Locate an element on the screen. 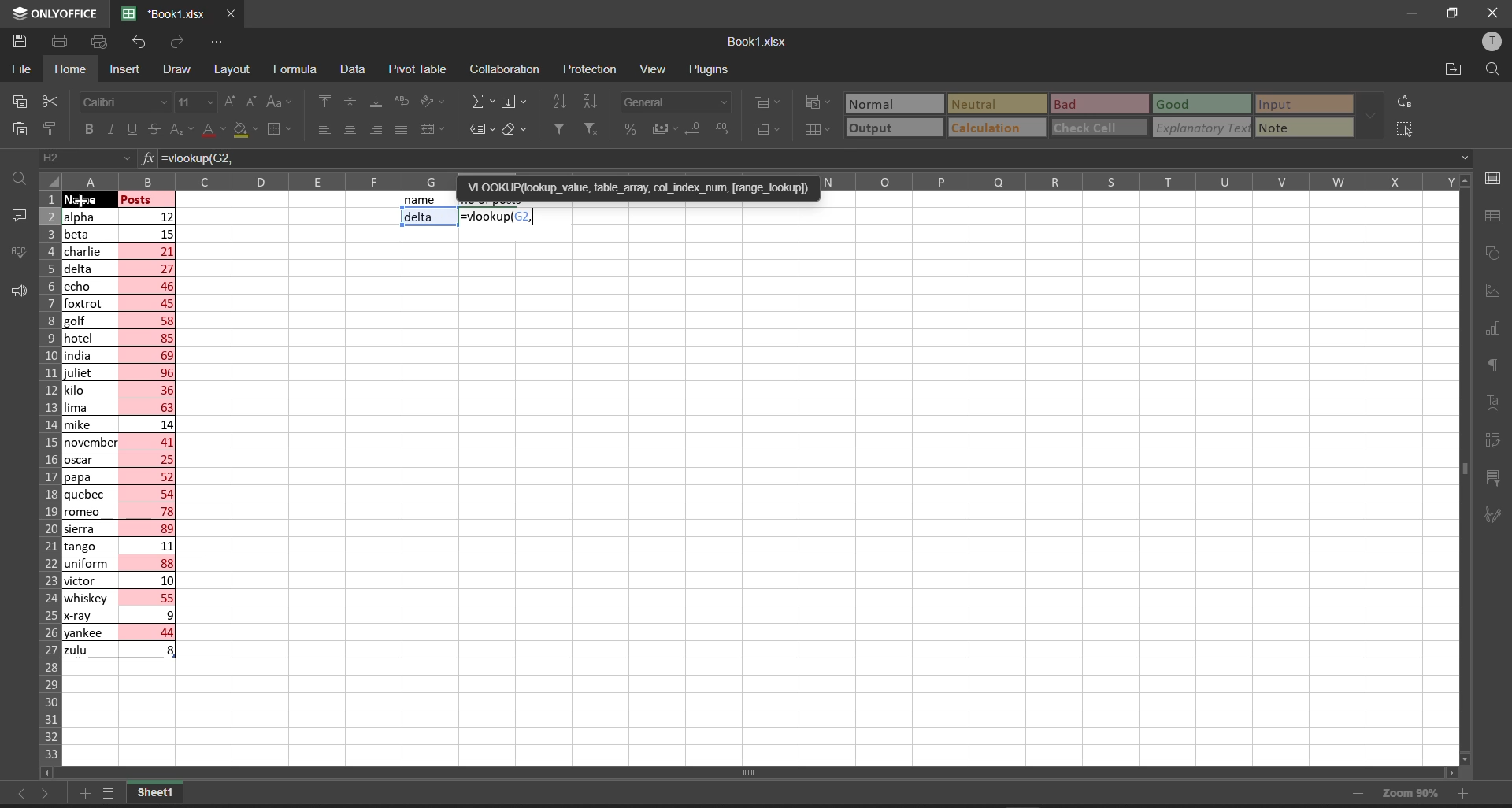  data is located at coordinates (353, 69).